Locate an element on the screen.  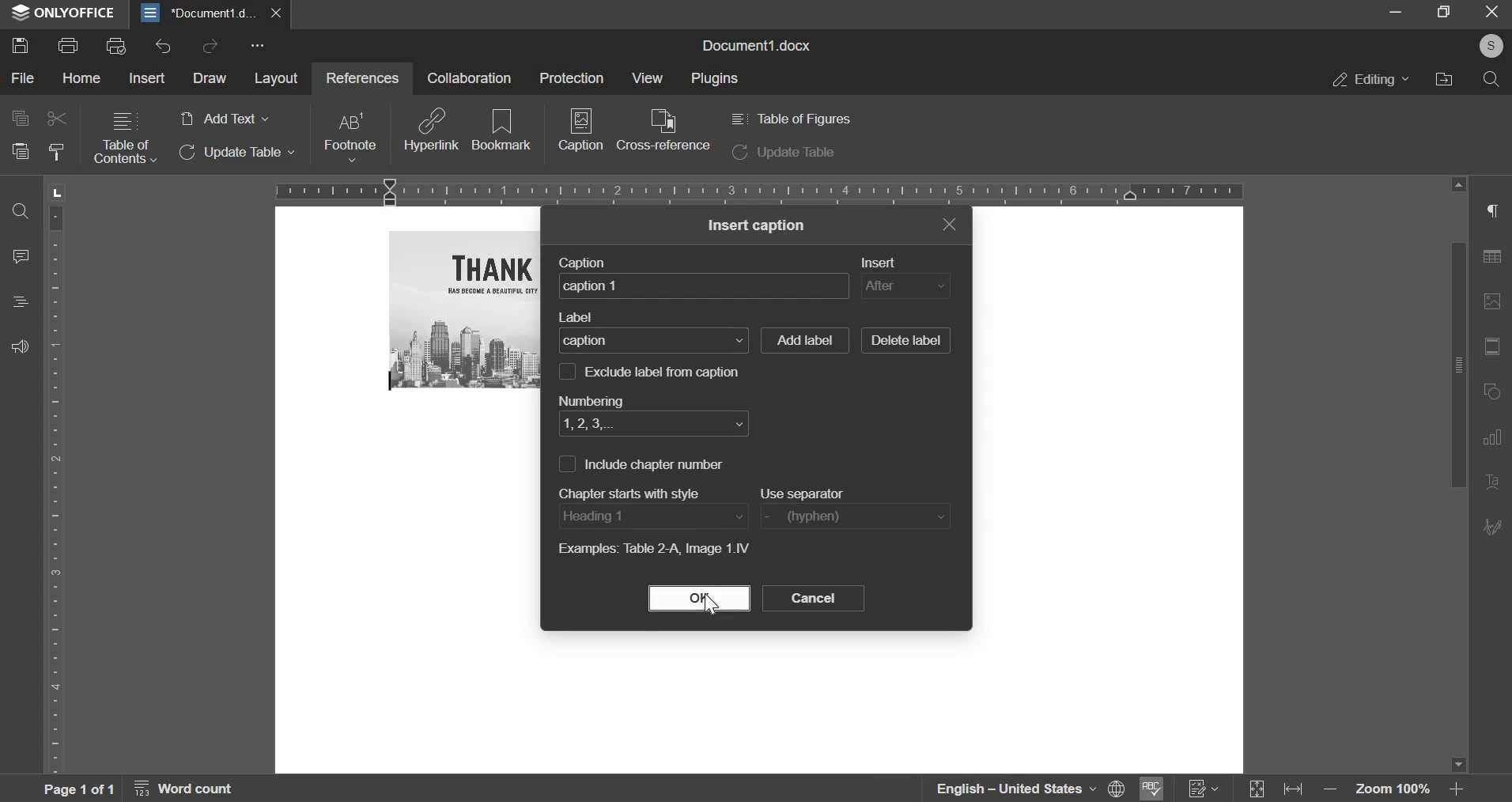
page 1 of 1 is located at coordinates (76, 789).